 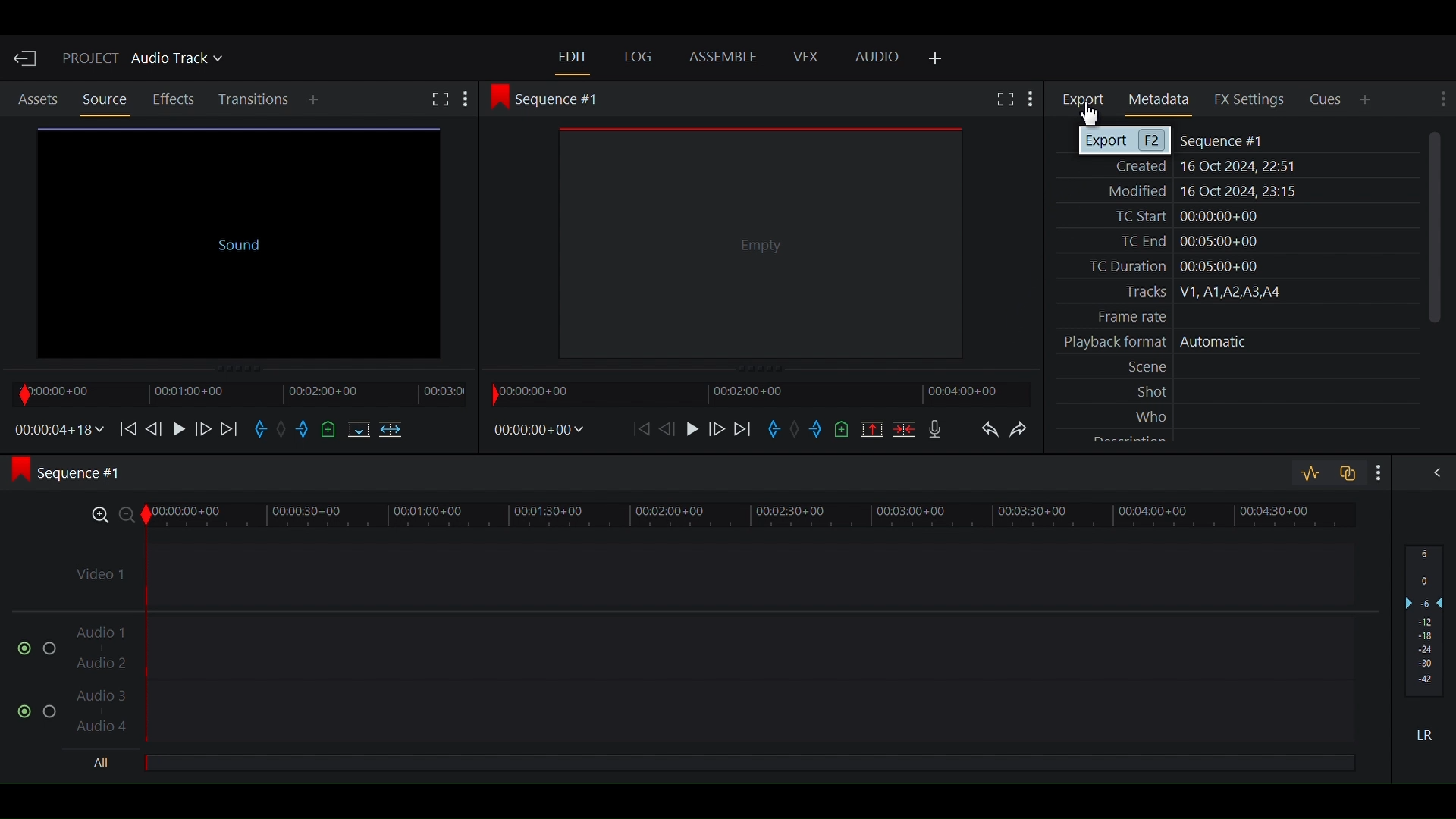 What do you see at coordinates (871, 428) in the screenshot?
I see `Remove all marked sections` at bounding box center [871, 428].